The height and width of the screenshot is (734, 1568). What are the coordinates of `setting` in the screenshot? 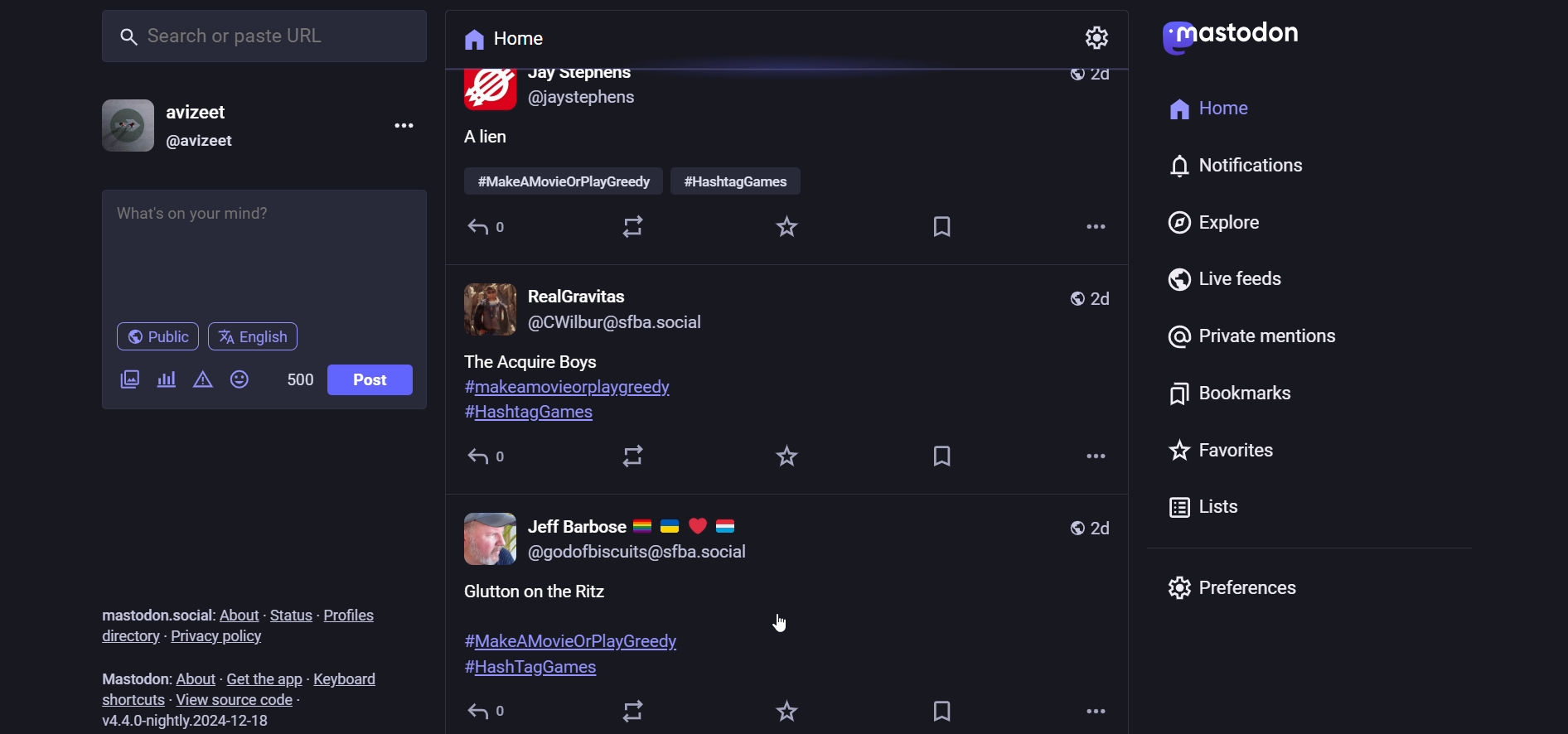 It's located at (1100, 36).